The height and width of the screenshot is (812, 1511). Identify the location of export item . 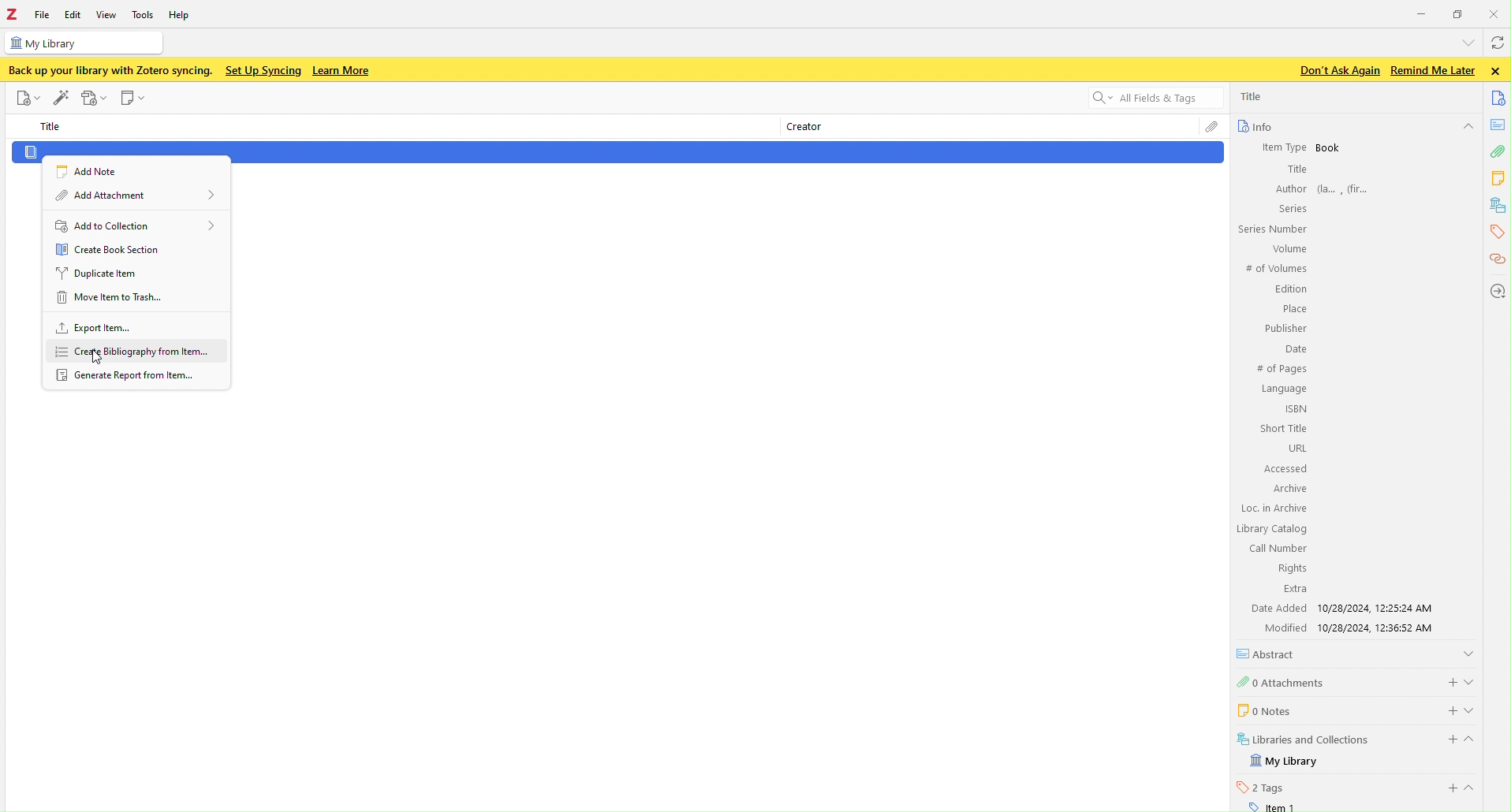
(139, 326).